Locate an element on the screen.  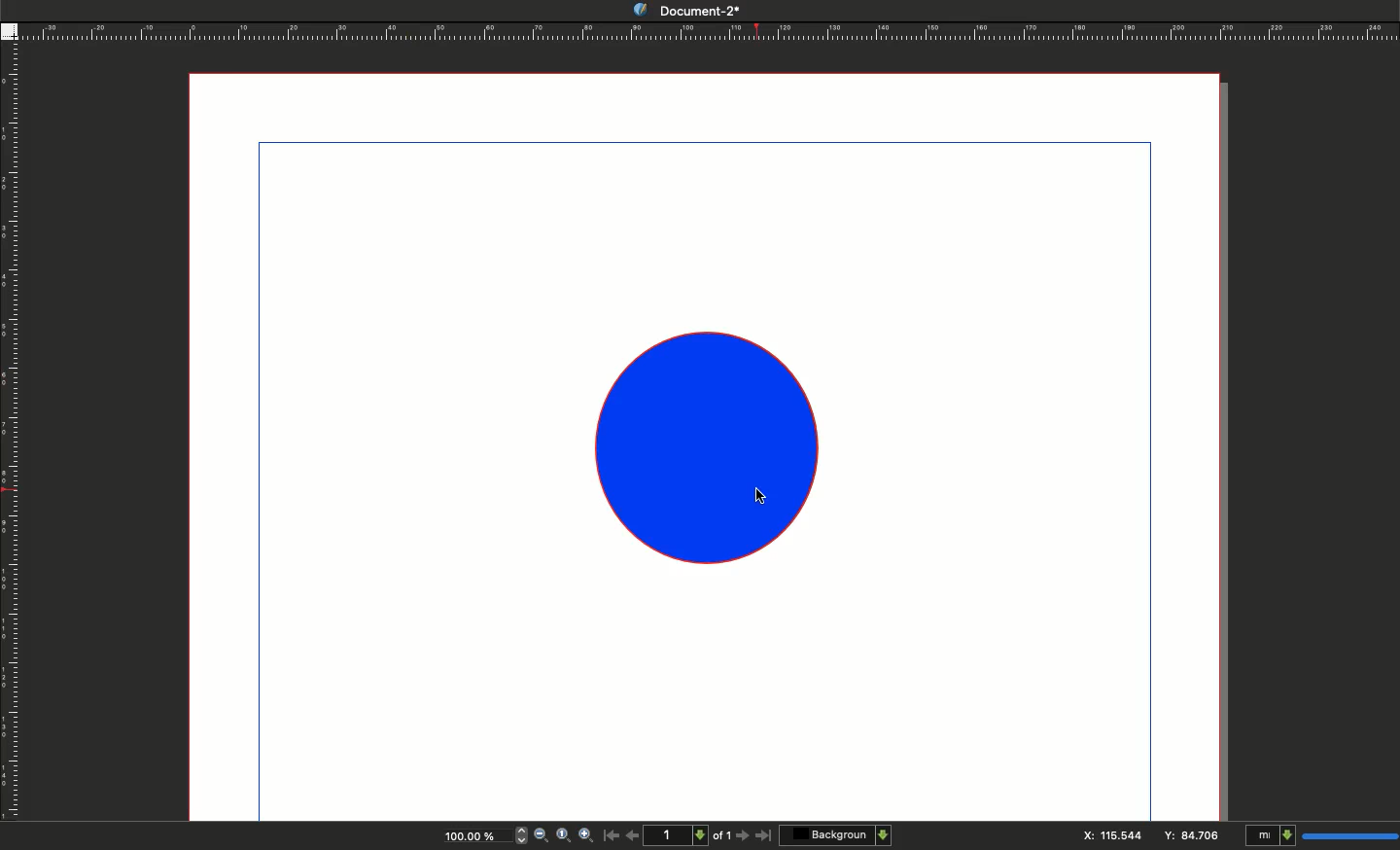
of 1 is located at coordinates (722, 838).